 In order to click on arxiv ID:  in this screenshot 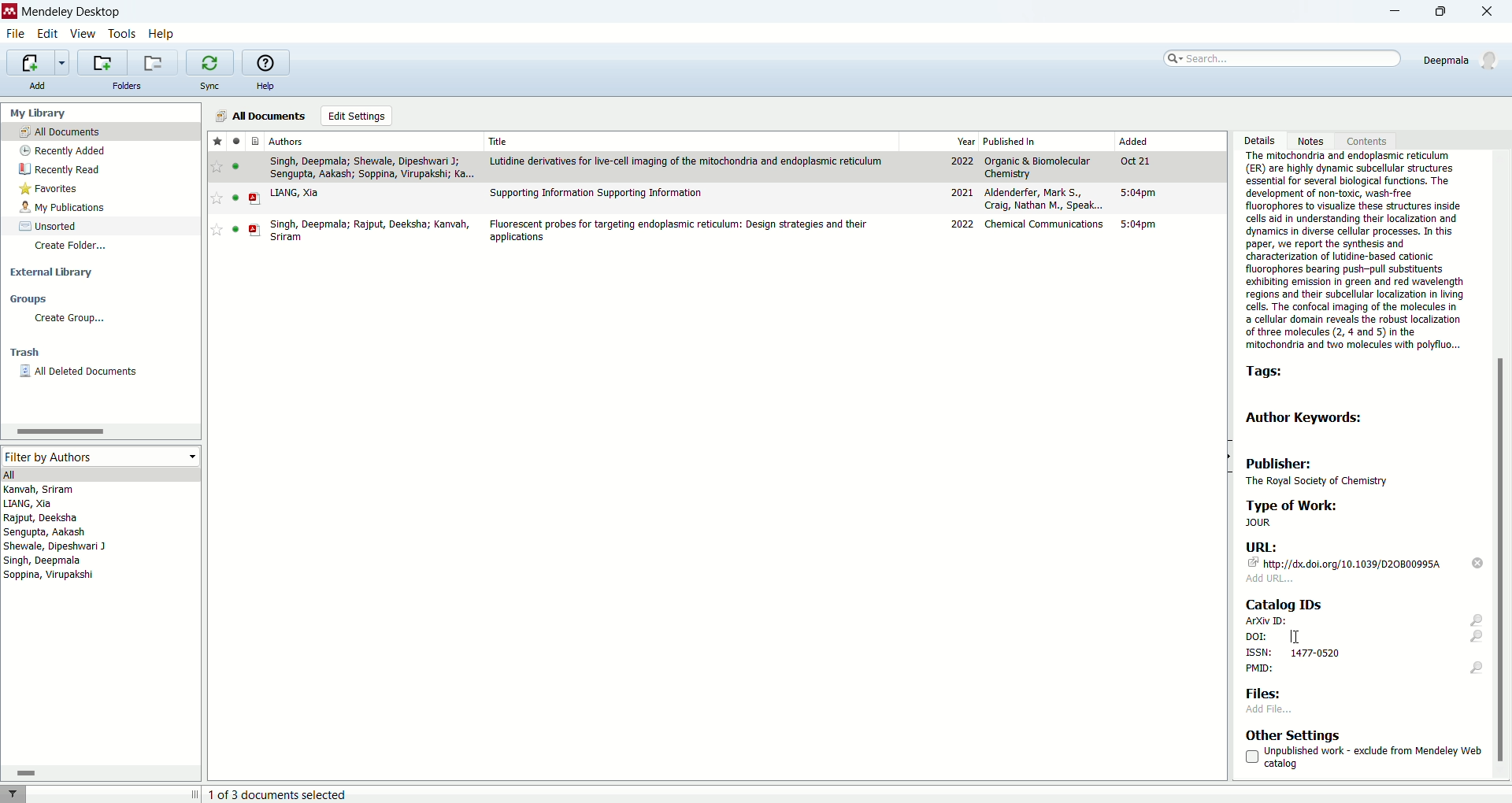, I will do `click(1364, 620)`.